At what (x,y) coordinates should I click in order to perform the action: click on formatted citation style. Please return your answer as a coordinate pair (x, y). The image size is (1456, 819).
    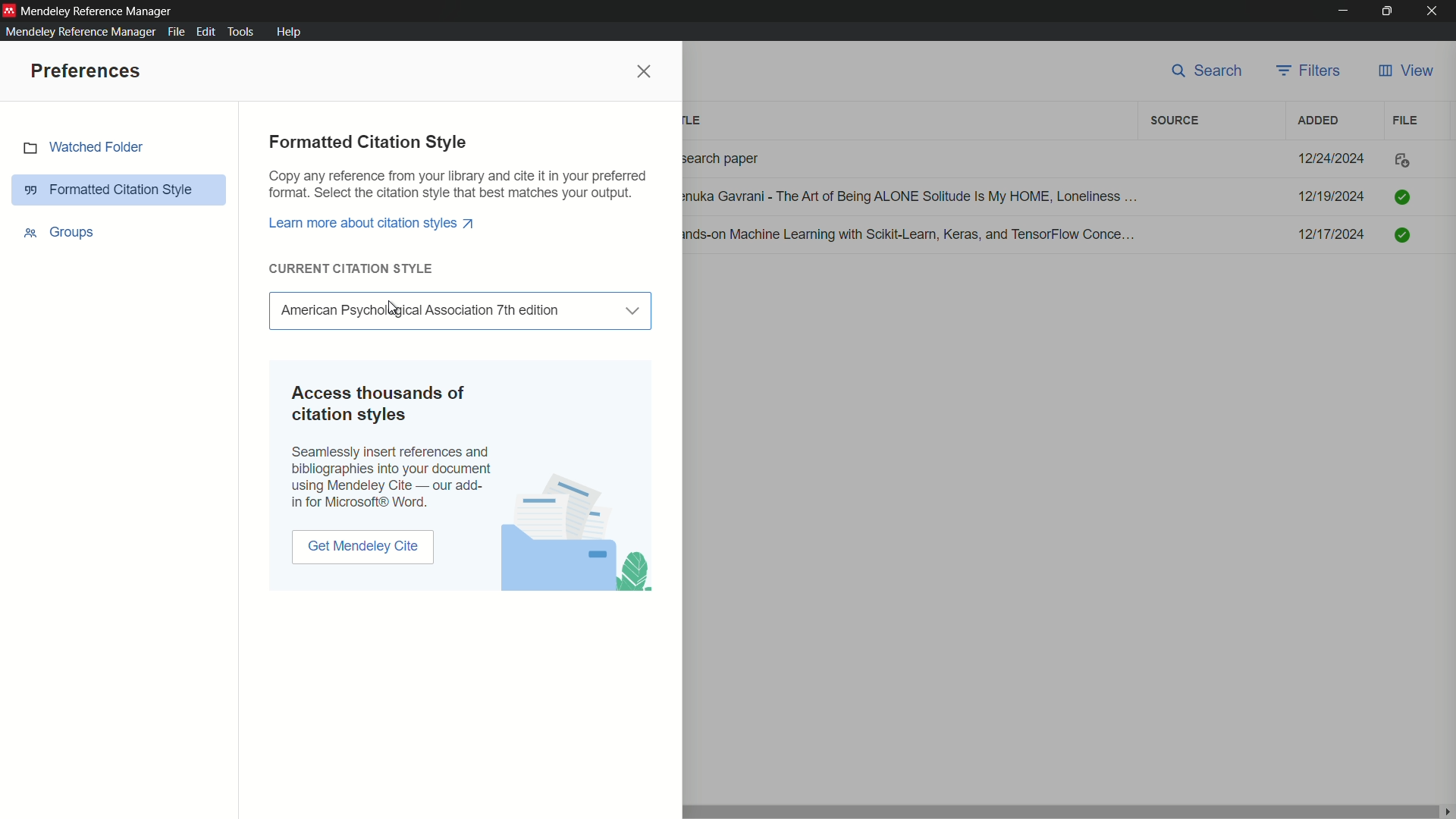
    Looking at the image, I should click on (119, 189).